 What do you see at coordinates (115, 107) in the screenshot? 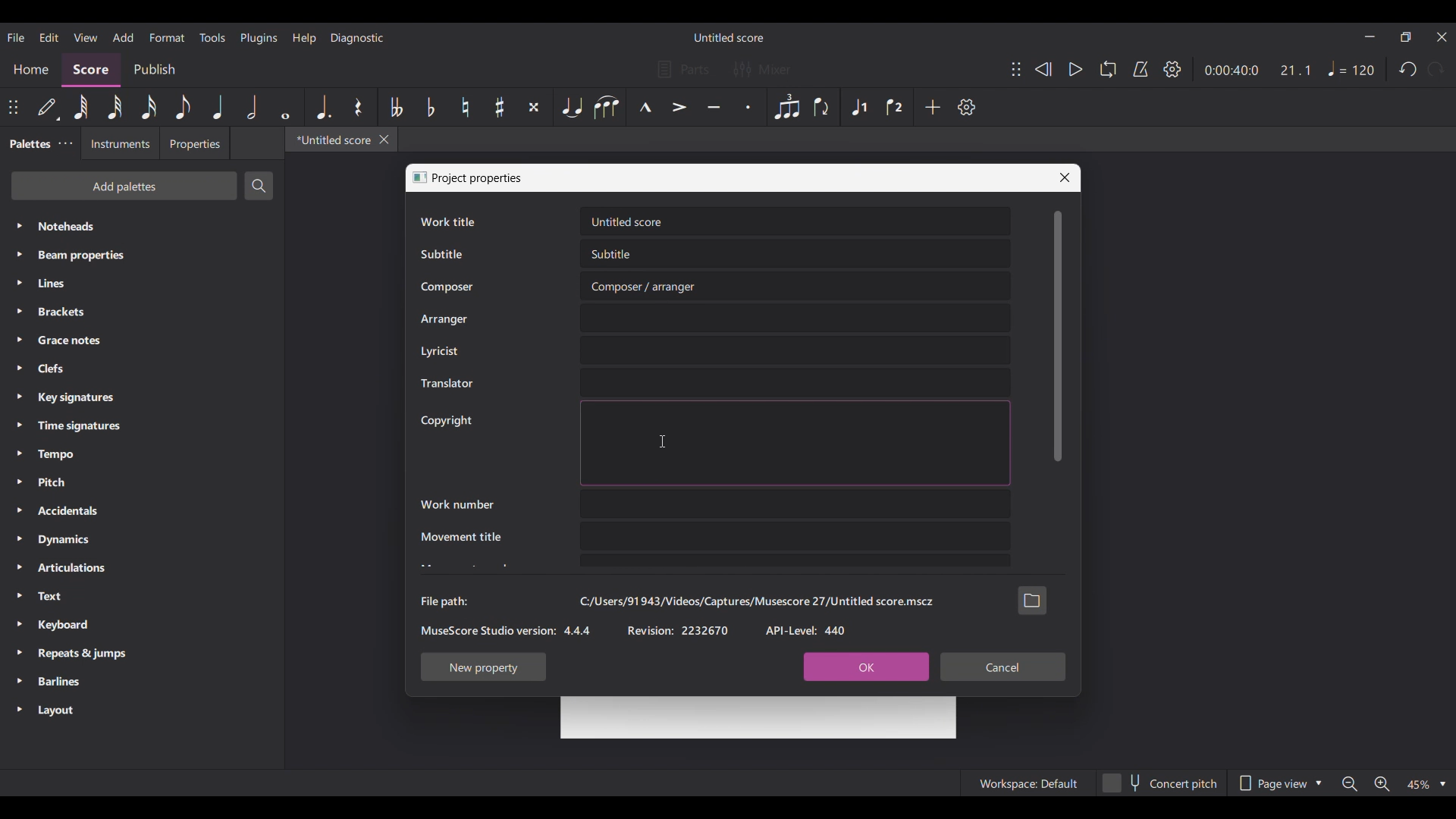
I see `32nd menu` at bounding box center [115, 107].